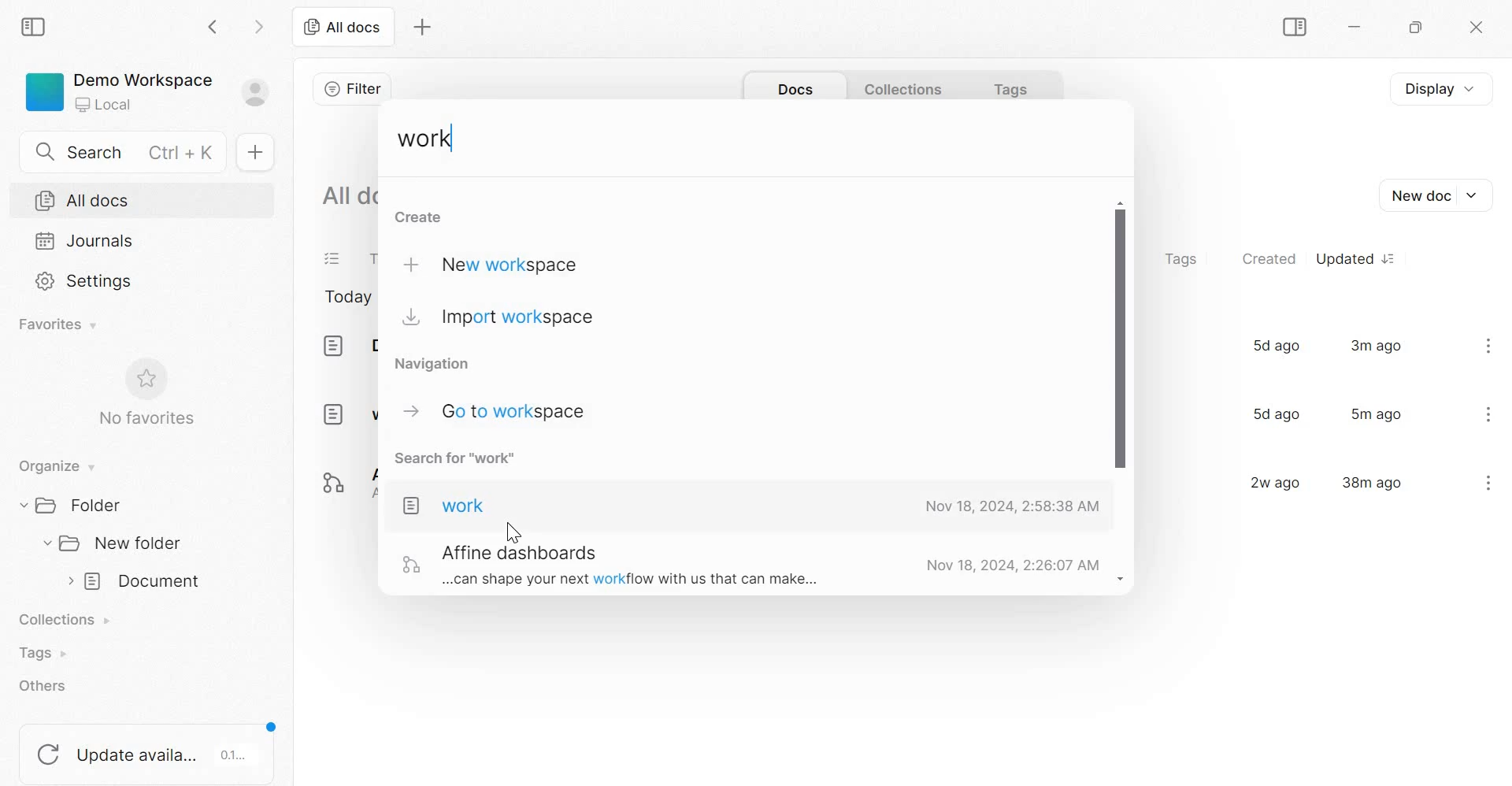 The height and width of the screenshot is (786, 1512). What do you see at coordinates (1377, 345) in the screenshot?
I see `3m ago` at bounding box center [1377, 345].